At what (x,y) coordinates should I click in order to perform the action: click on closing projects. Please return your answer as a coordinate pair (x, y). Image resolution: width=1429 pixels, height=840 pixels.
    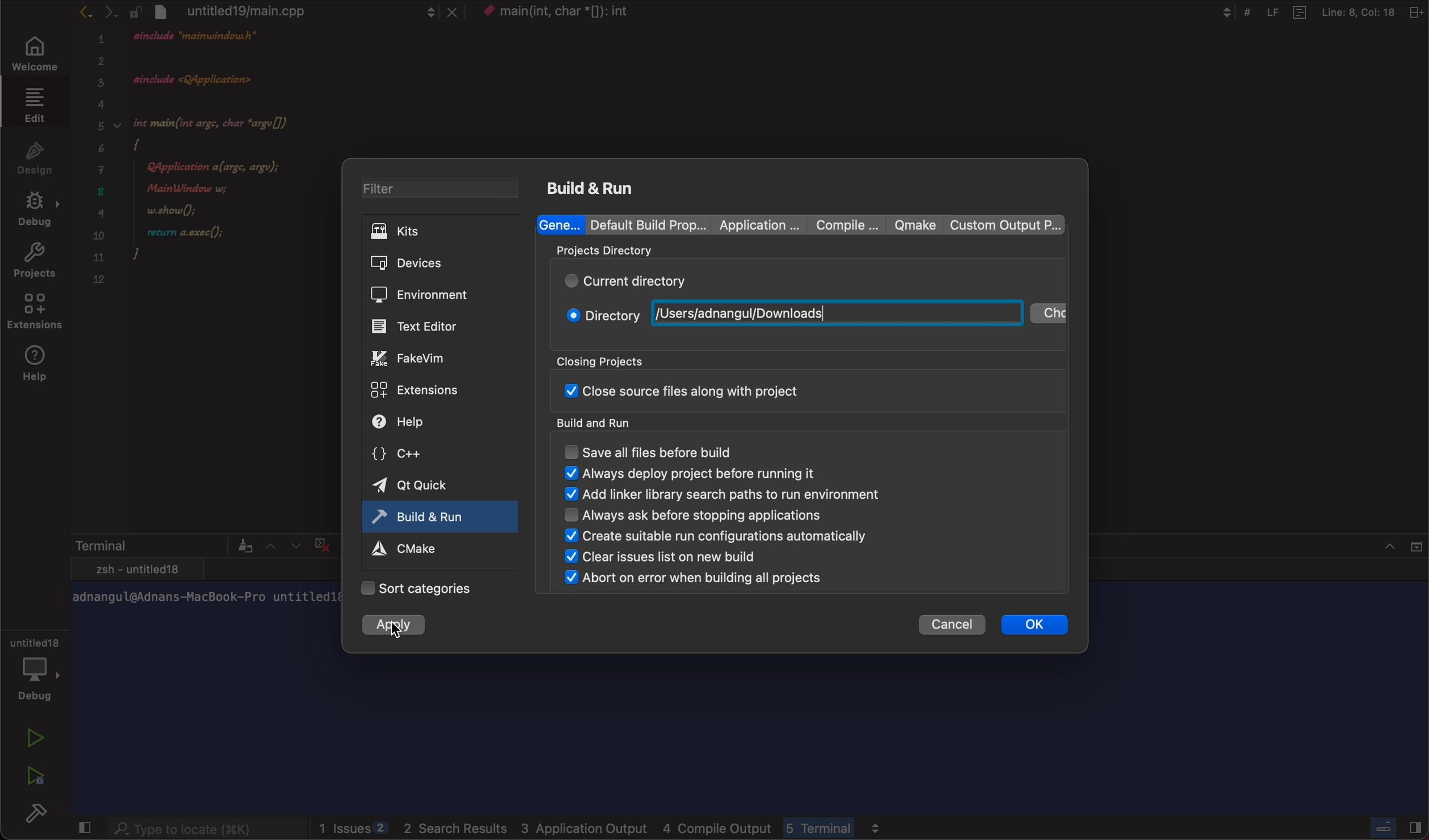
    Looking at the image, I should click on (616, 360).